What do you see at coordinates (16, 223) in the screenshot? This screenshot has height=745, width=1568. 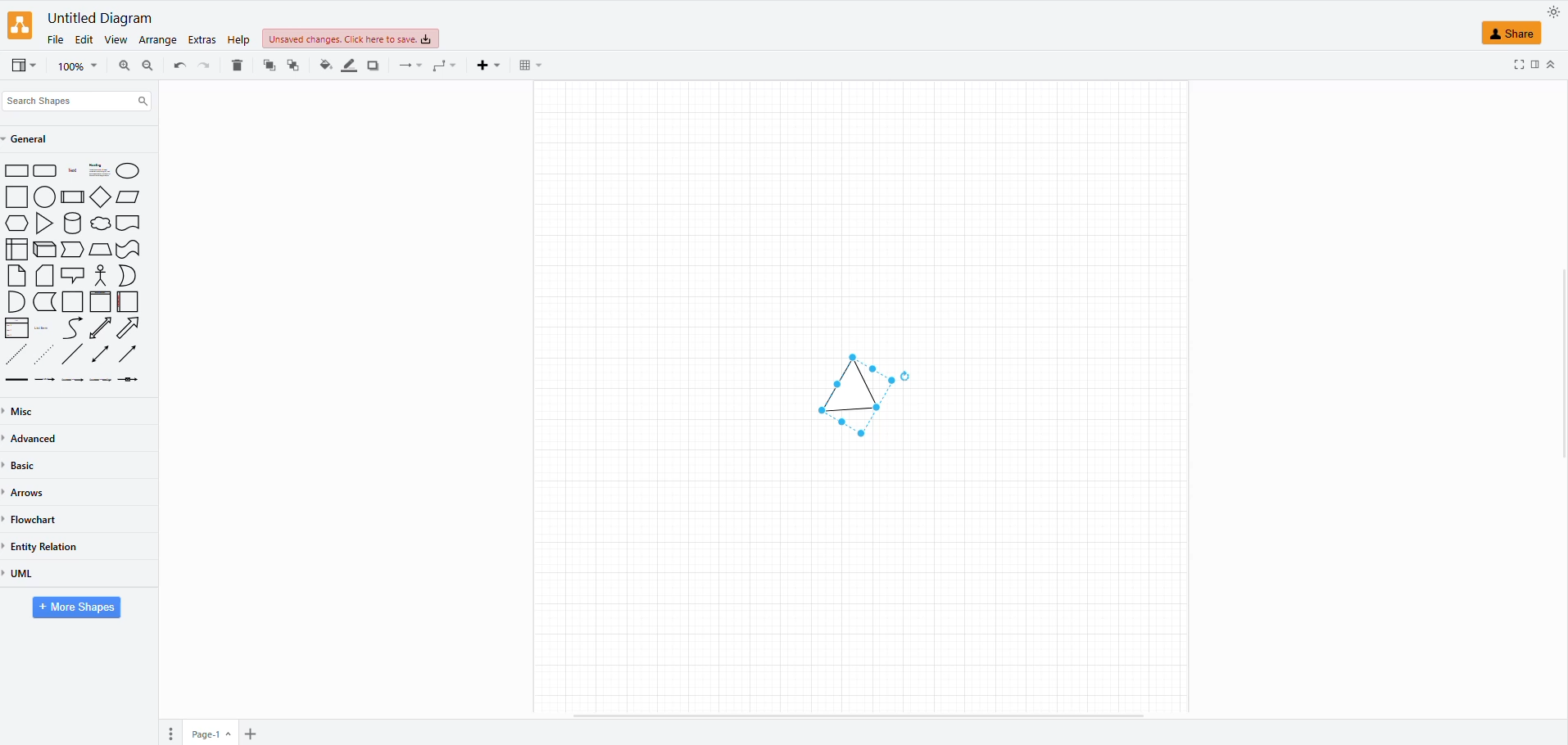 I see `Hexagon` at bounding box center [16, 223].